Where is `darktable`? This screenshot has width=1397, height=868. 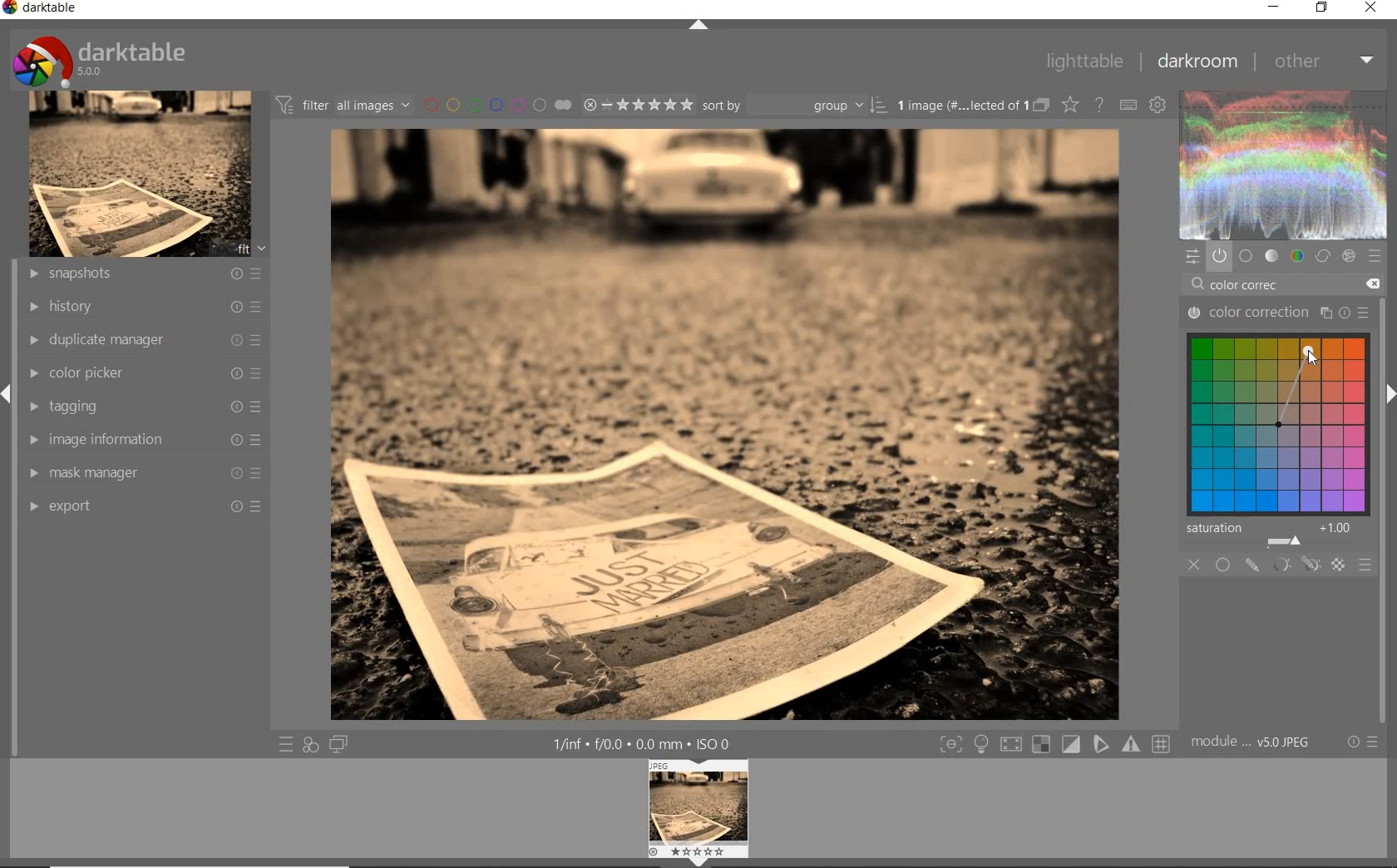 darktable is located at coordinates (101, 60).